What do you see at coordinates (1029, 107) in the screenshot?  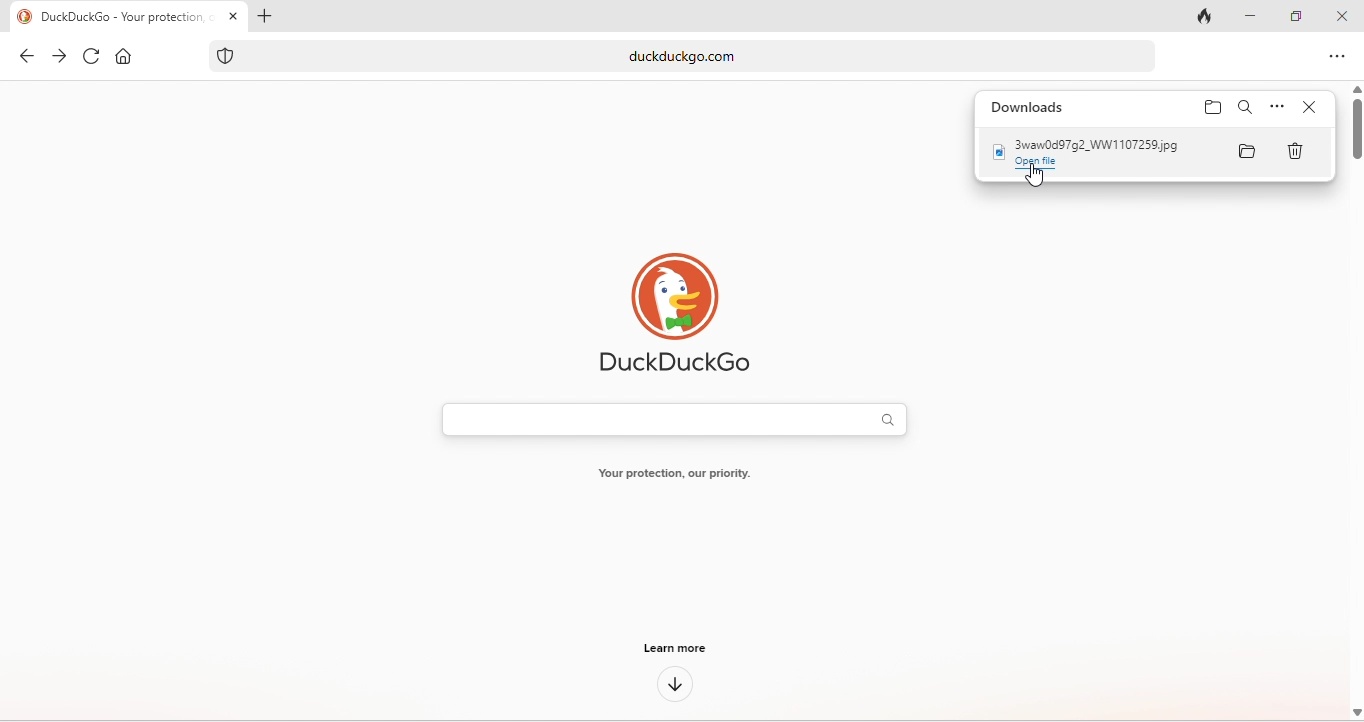 I see `downloads` at bounding box center [1029, 107].